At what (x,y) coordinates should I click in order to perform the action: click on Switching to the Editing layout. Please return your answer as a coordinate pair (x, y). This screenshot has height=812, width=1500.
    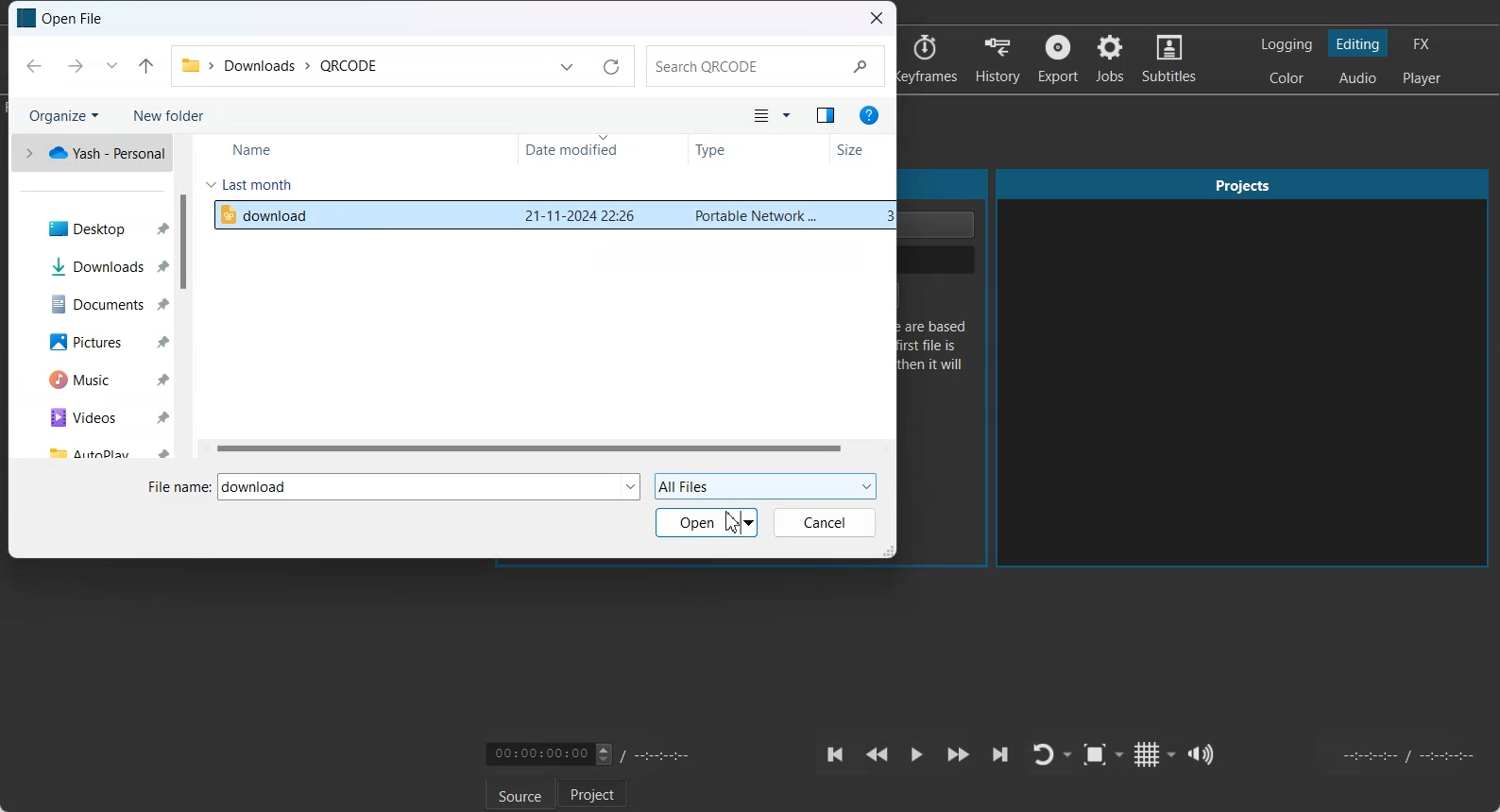
    Looking at the image, I should click on (1358, 44).